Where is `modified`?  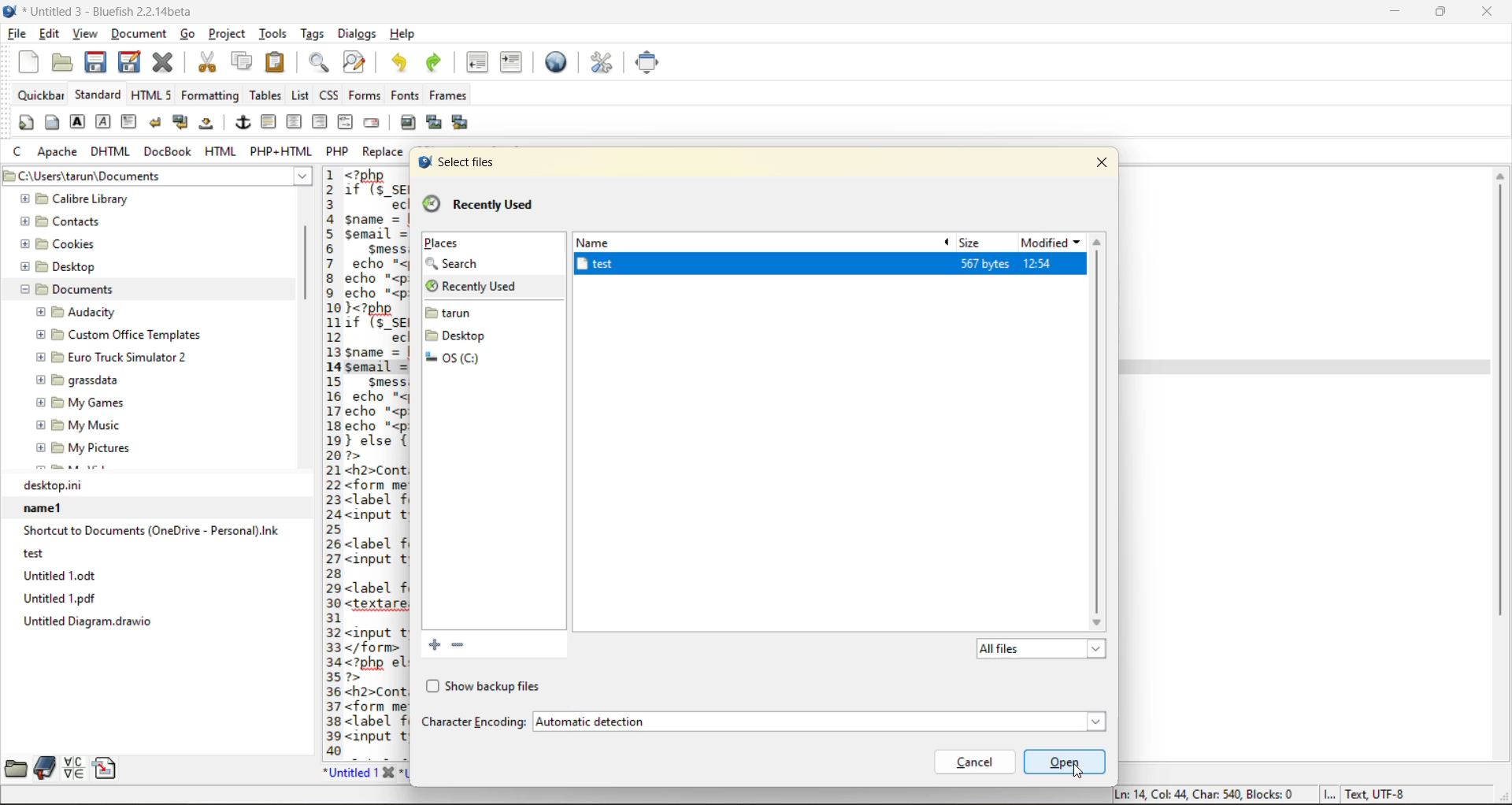 modified is located at coordinates (1052, 243).